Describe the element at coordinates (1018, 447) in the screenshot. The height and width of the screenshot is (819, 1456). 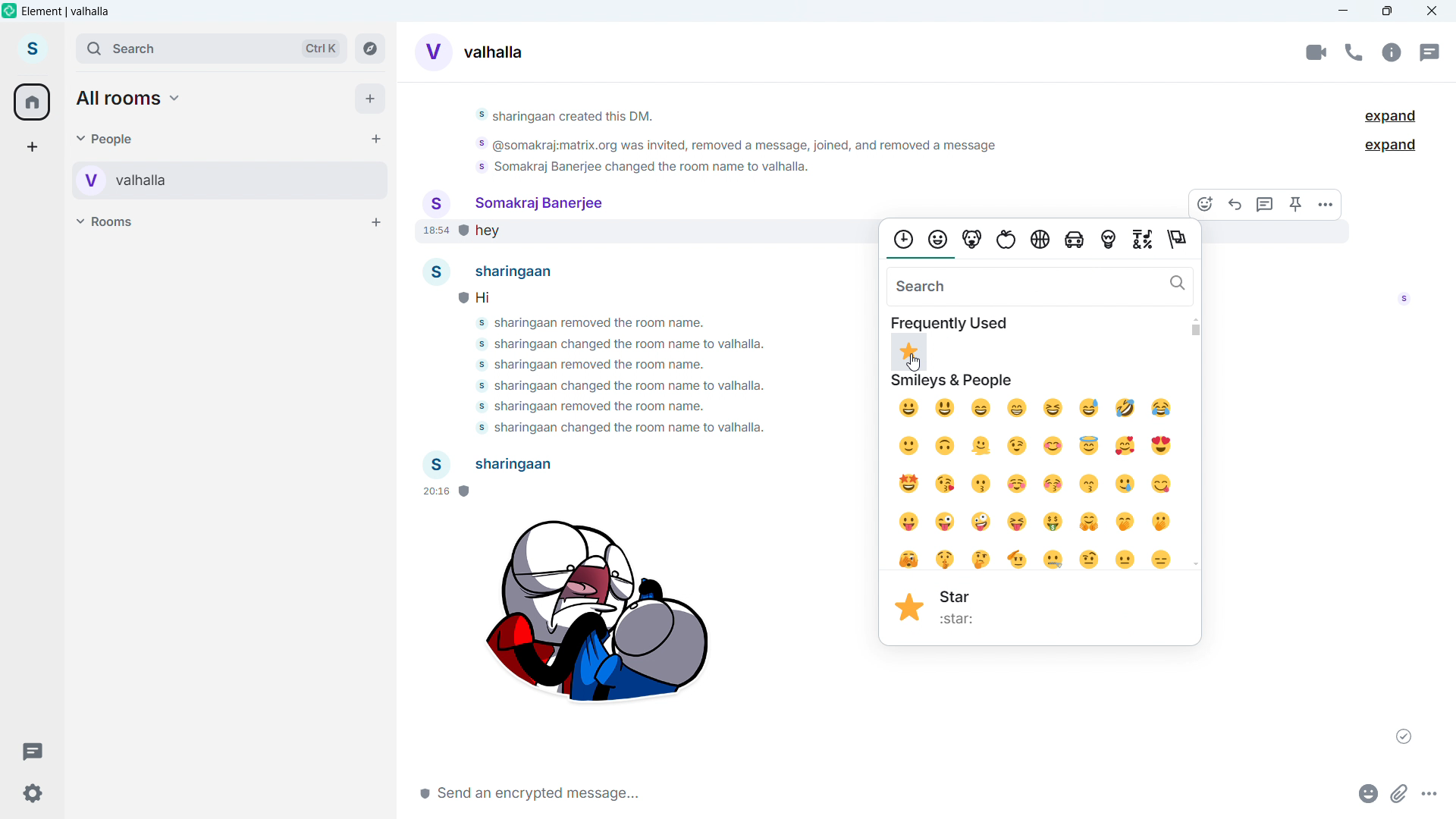
I see `winking face` at that location.